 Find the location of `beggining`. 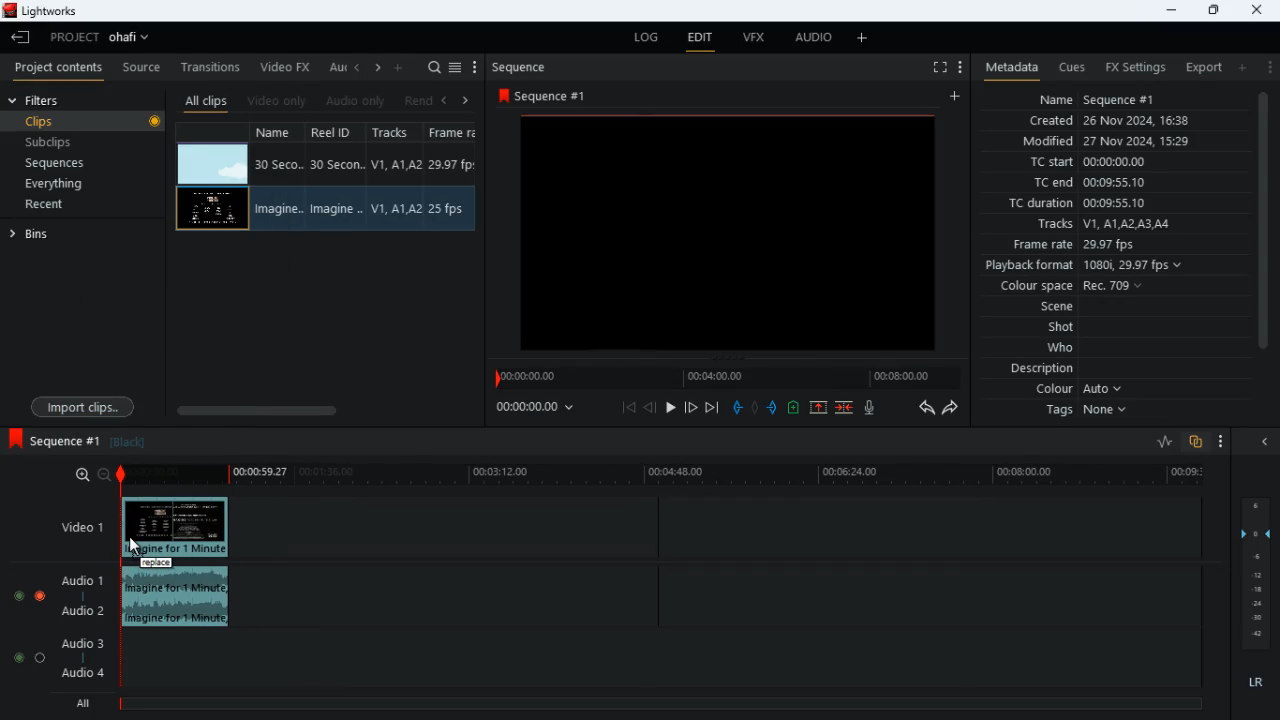

beggining is located at coordinates (629, 407).